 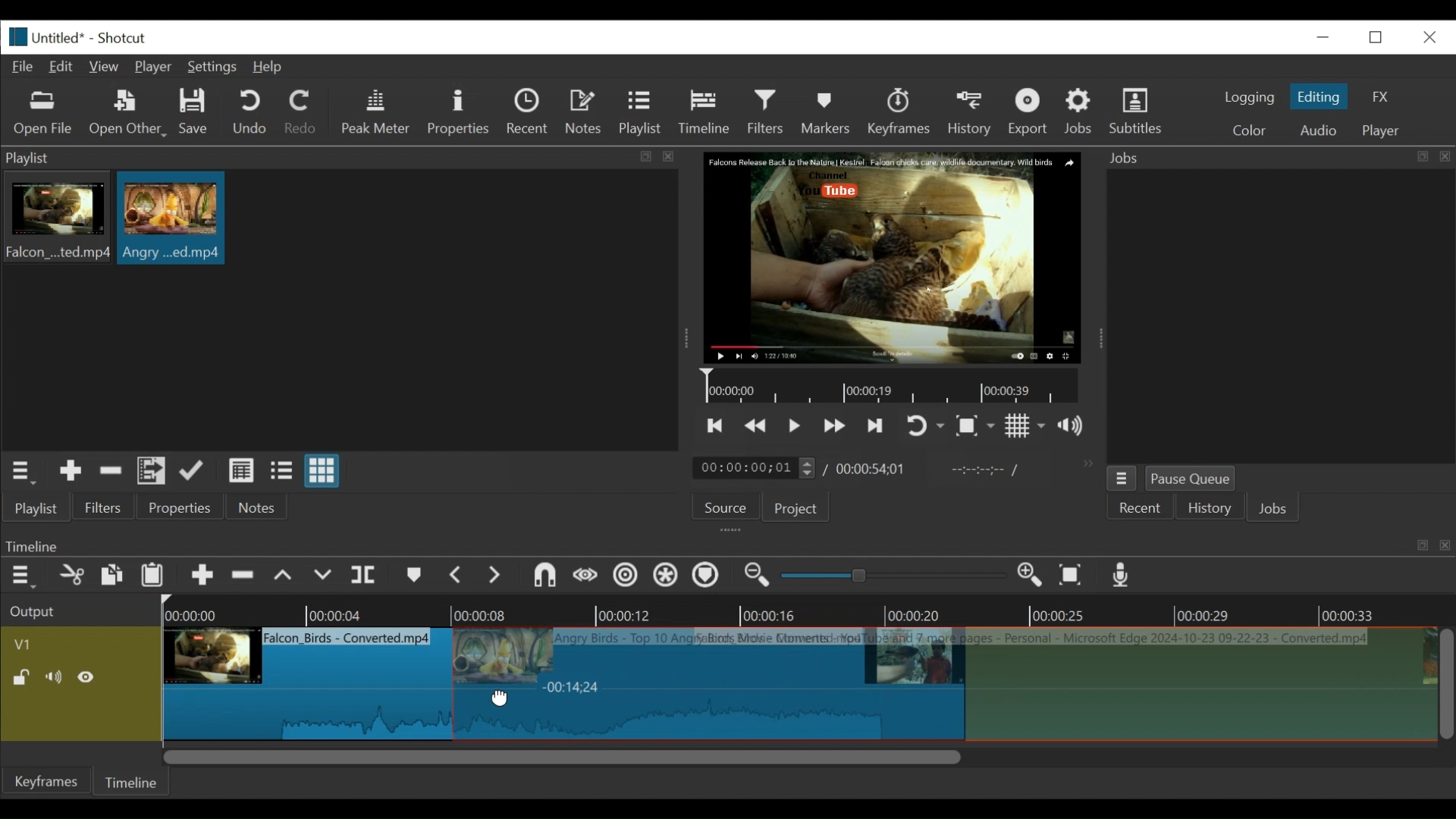 I want to click on Remove cut, so click(x=111, y=473).